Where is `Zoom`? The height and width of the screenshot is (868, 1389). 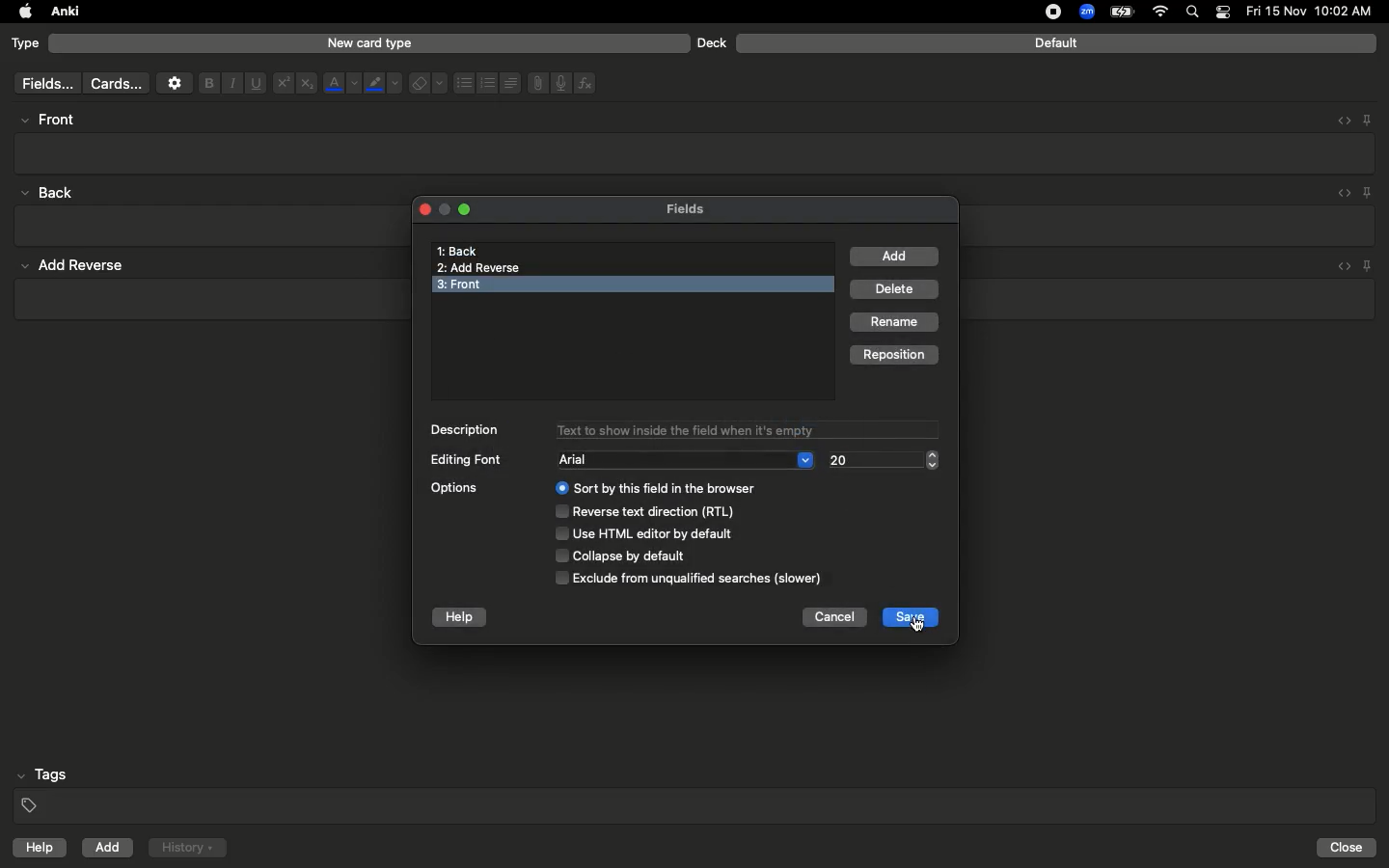
Zoom is located at coordinates (1085, 13).